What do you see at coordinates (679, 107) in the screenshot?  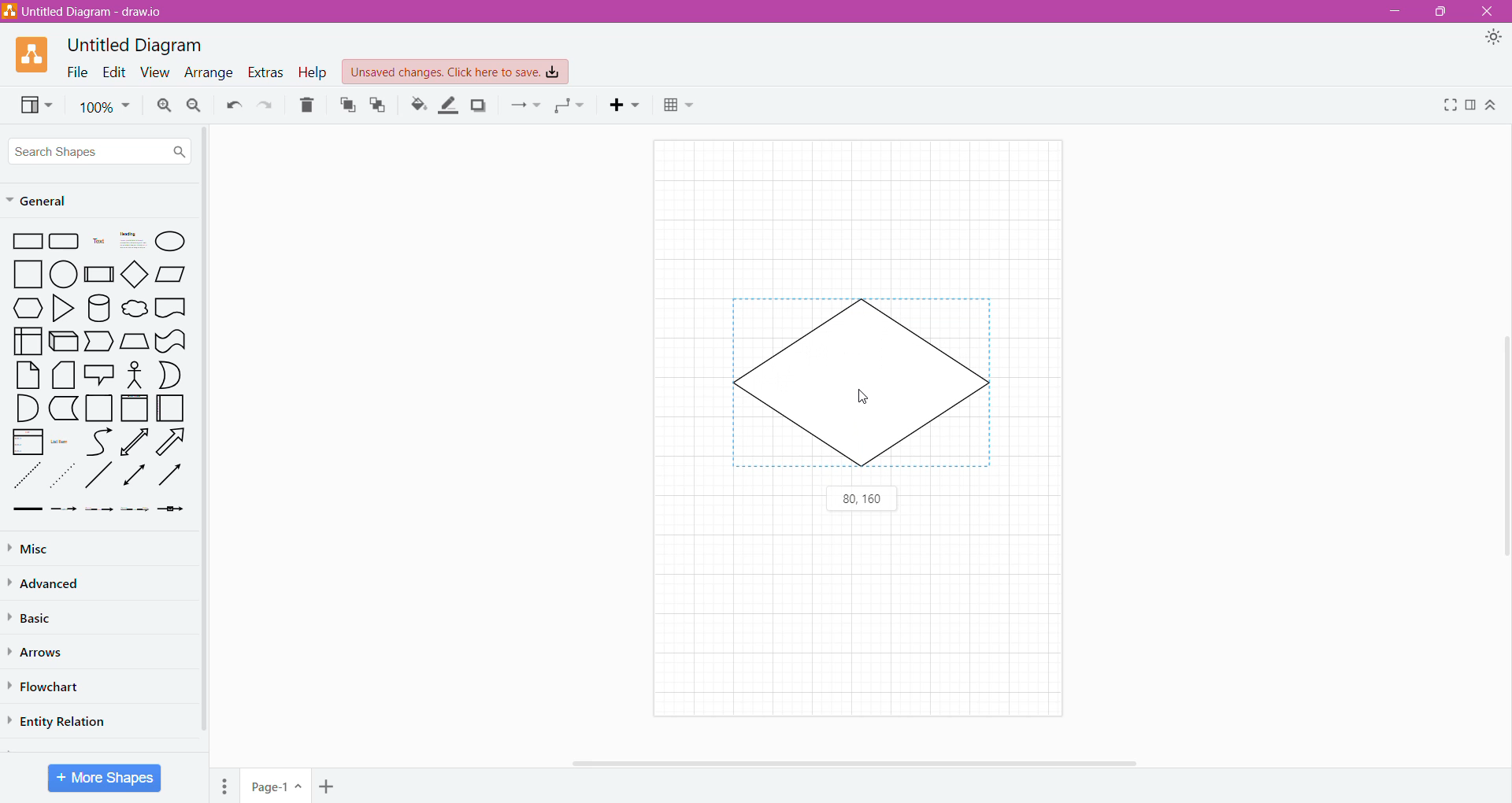 I see `Table` at bounding box center [679, 107].